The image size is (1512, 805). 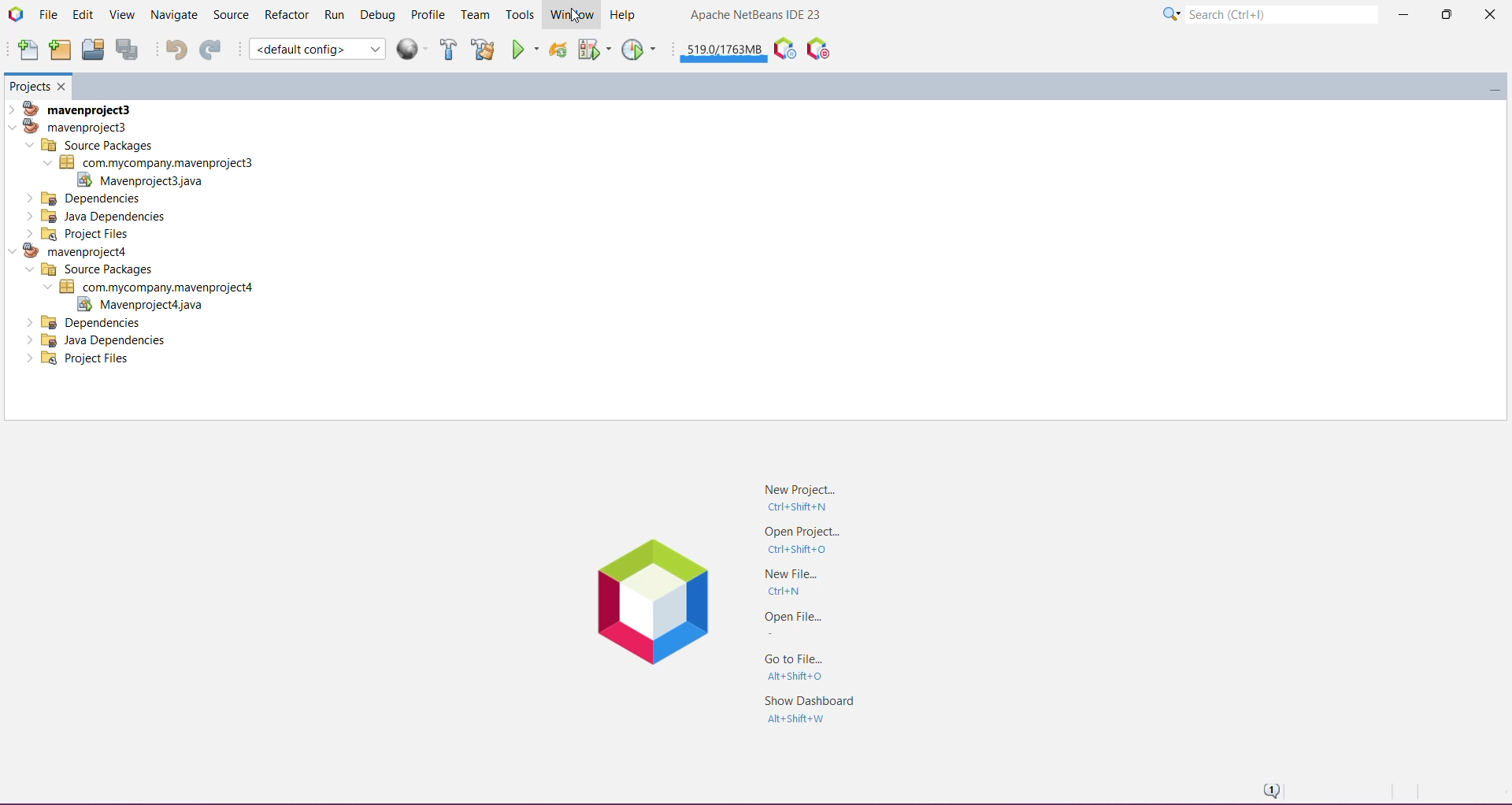 What do you see at coordinates (15, 14) in the screenshot?
I see `Application Logo` at bounding box center [15, 14].